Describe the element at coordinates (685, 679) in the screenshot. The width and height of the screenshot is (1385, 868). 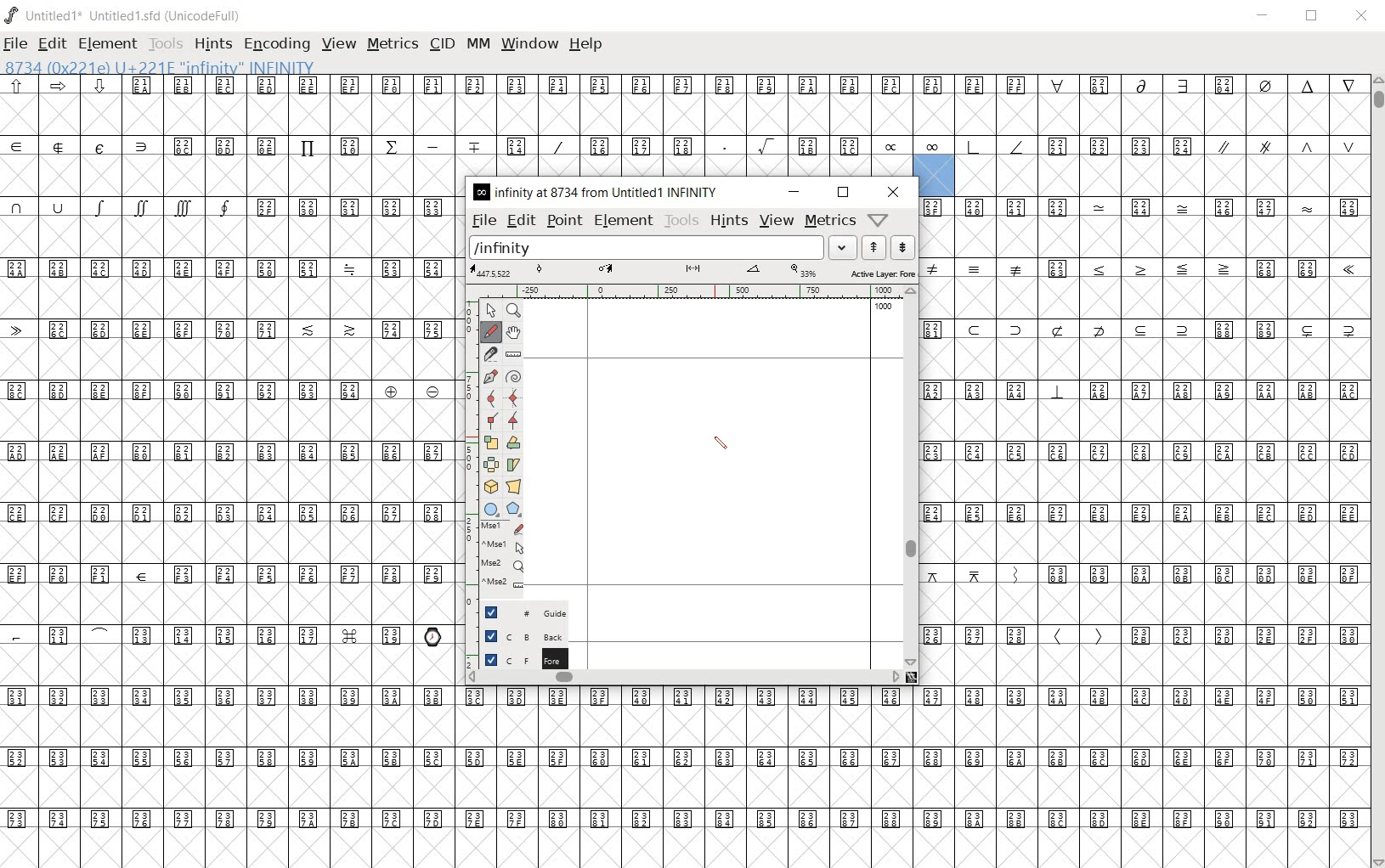
I see `scrollbar` at that location.